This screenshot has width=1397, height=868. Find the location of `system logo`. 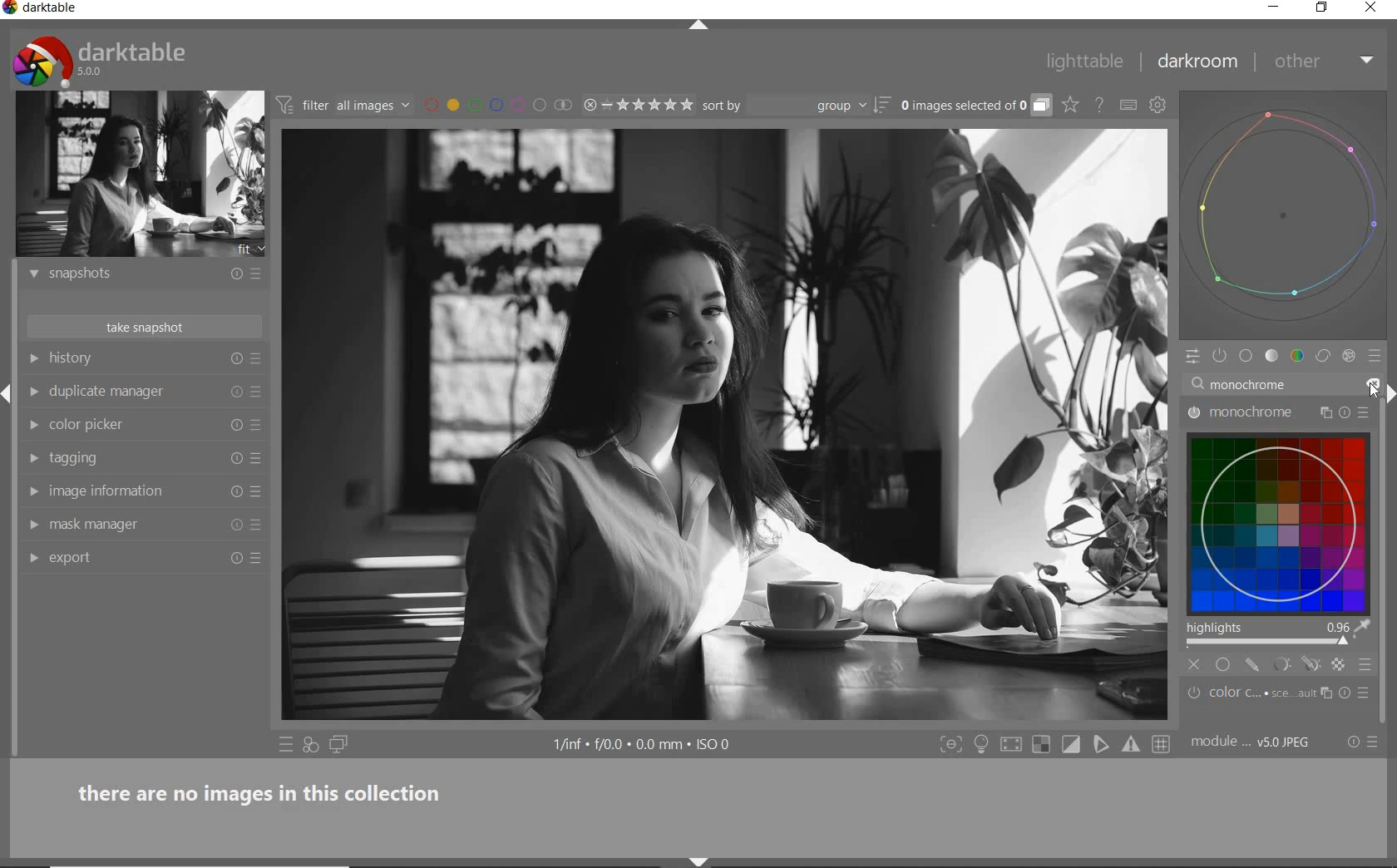

system logo is located at coordinates (101, 61).